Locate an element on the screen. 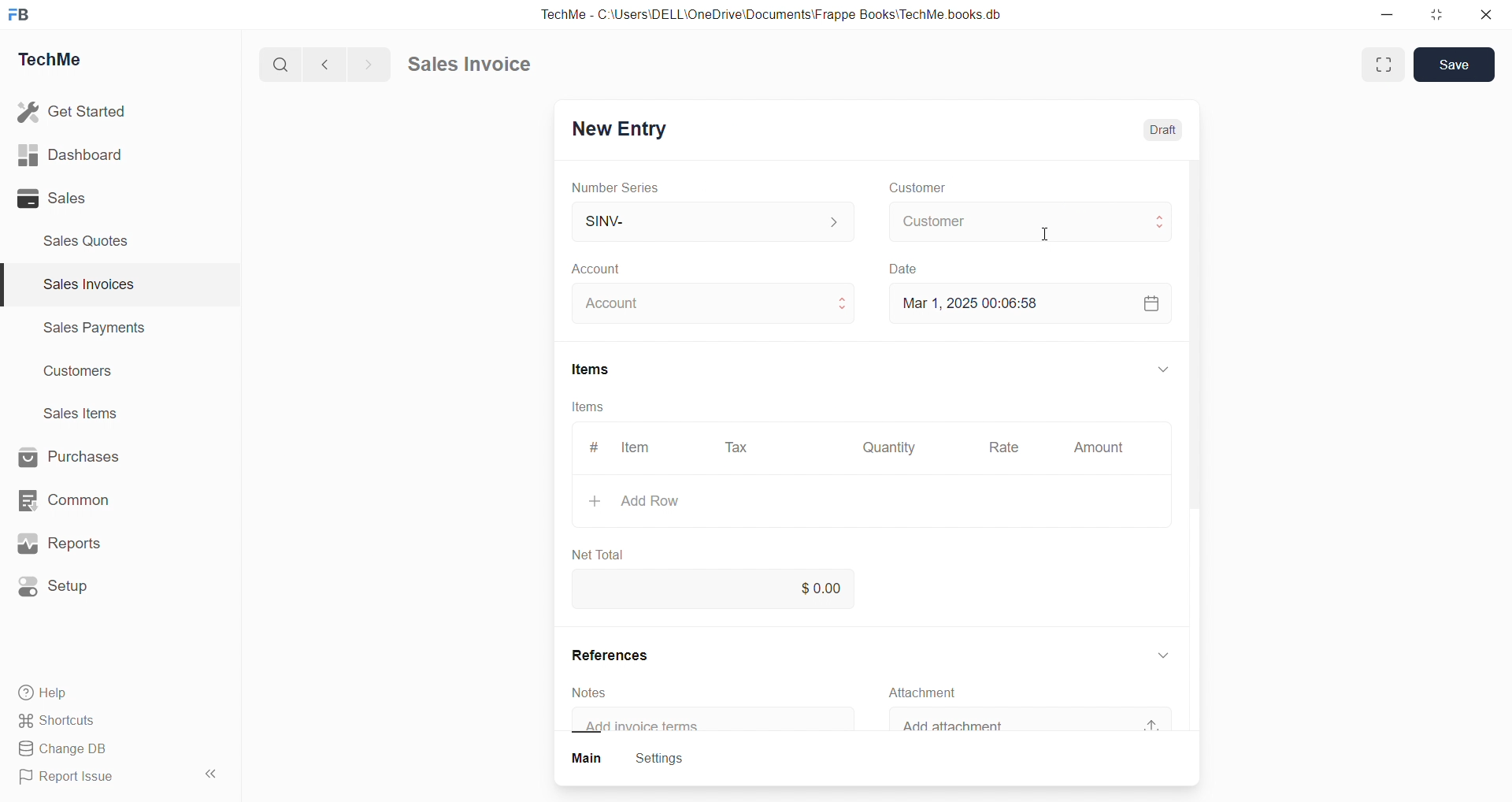 This screenshot has height=802, width=1512. References is located at coordinates (627, 655).